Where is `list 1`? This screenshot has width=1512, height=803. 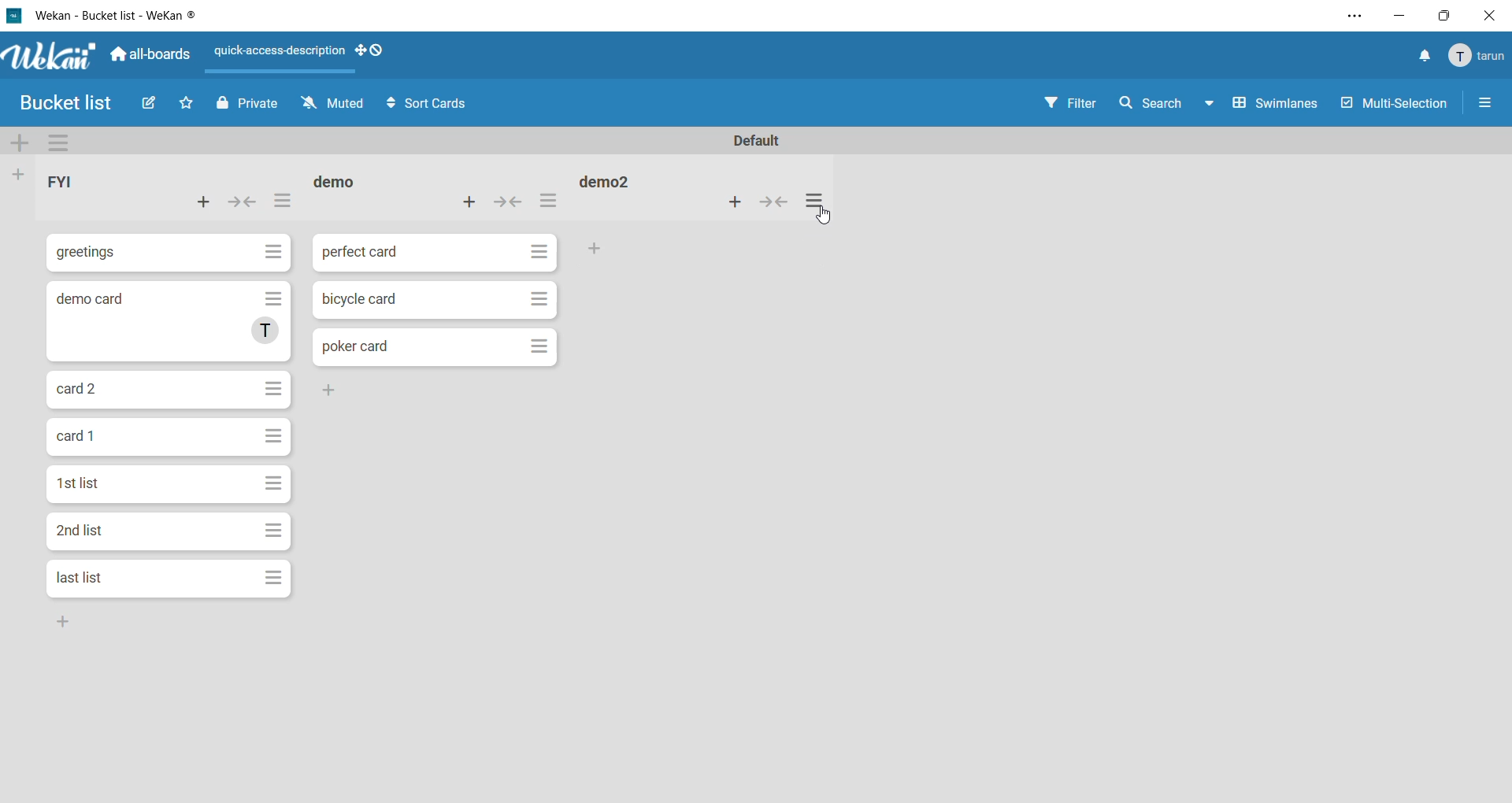
list 1 is located at coordinates (94, 179).